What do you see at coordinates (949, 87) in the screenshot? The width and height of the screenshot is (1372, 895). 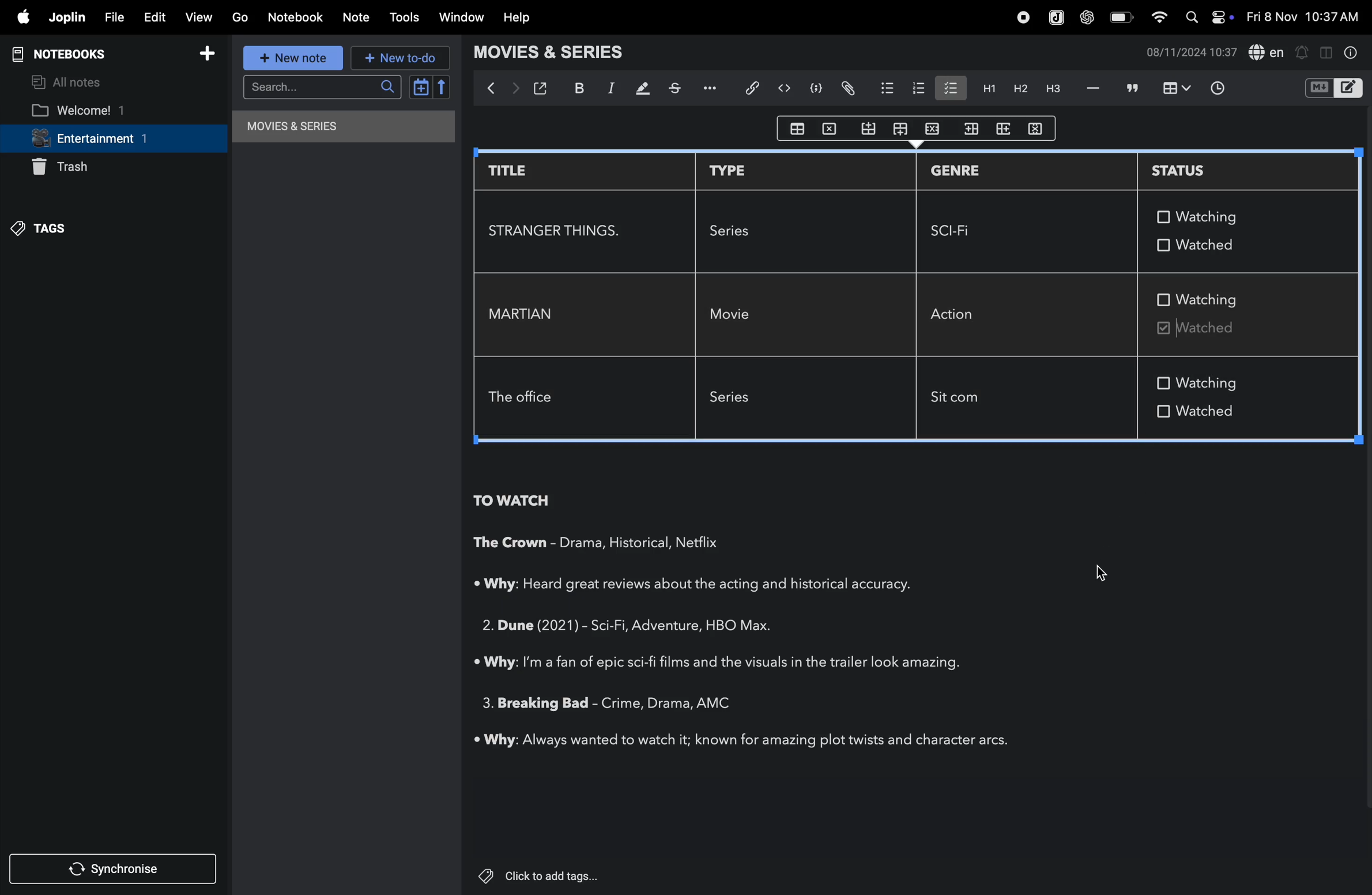 I see `check box` at bounding box center [949, 87].